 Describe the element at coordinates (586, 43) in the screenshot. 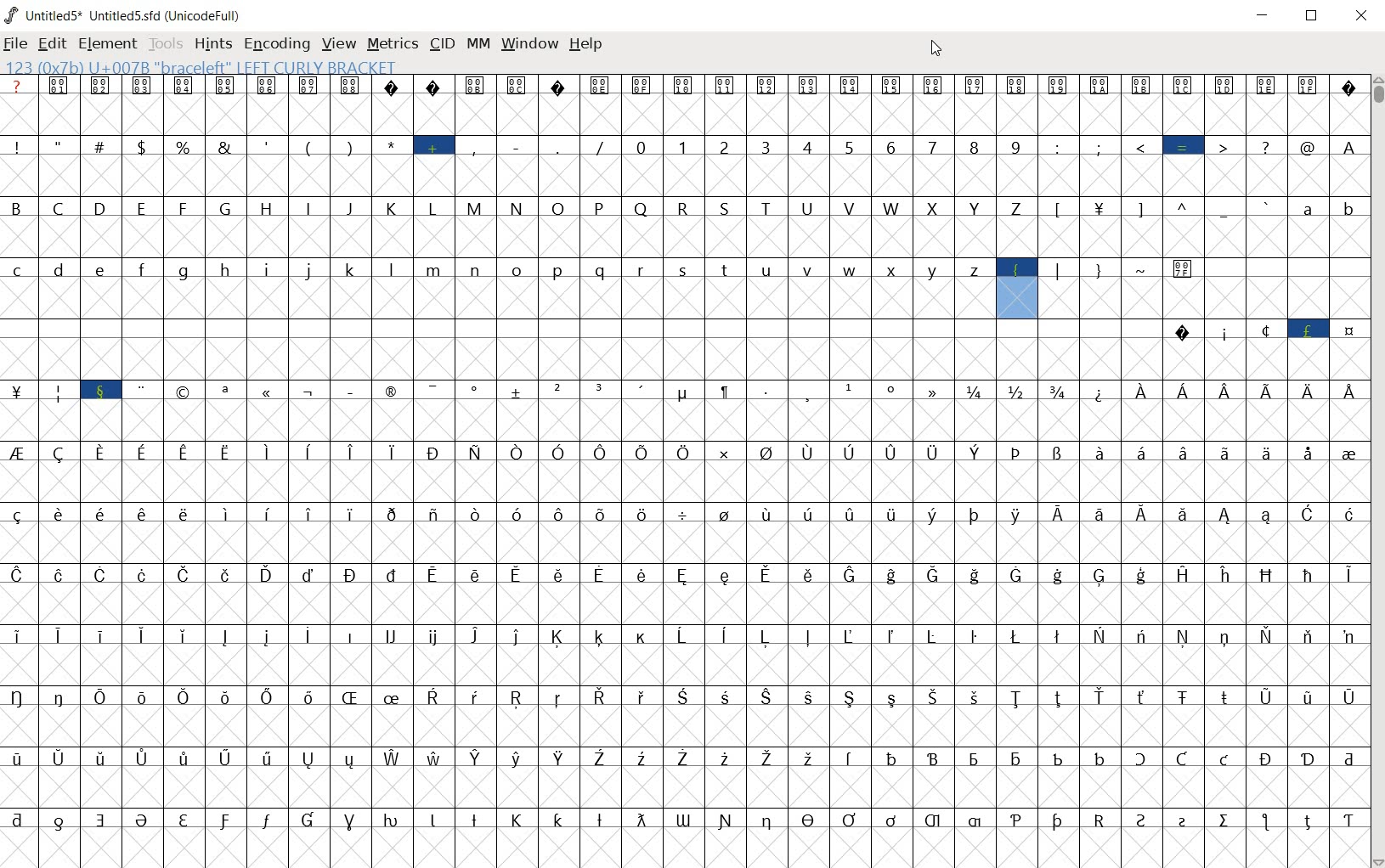

I see `HELP` at that location.